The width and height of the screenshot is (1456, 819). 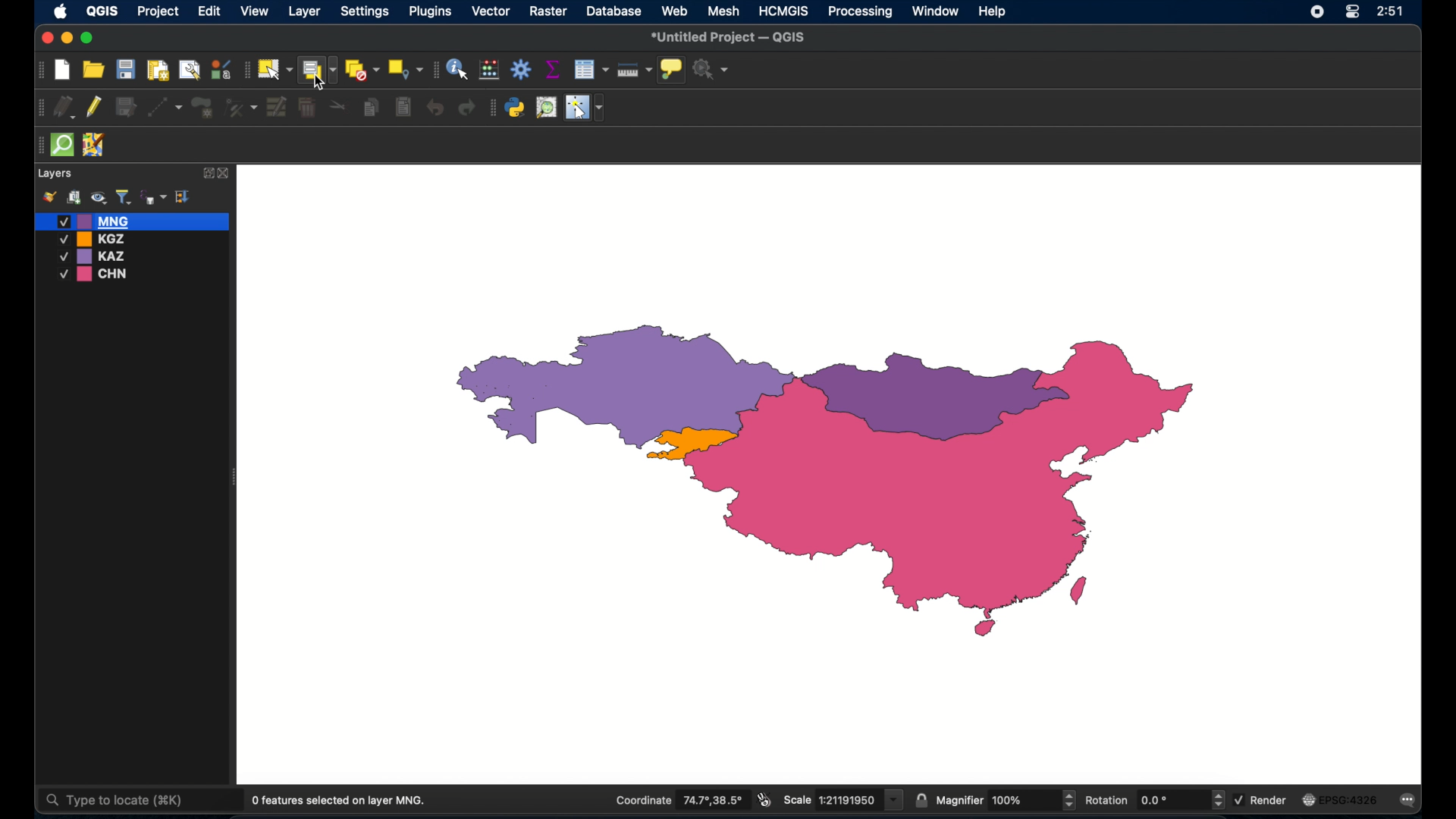 I want to click on redo, so click(x=469, y=108).